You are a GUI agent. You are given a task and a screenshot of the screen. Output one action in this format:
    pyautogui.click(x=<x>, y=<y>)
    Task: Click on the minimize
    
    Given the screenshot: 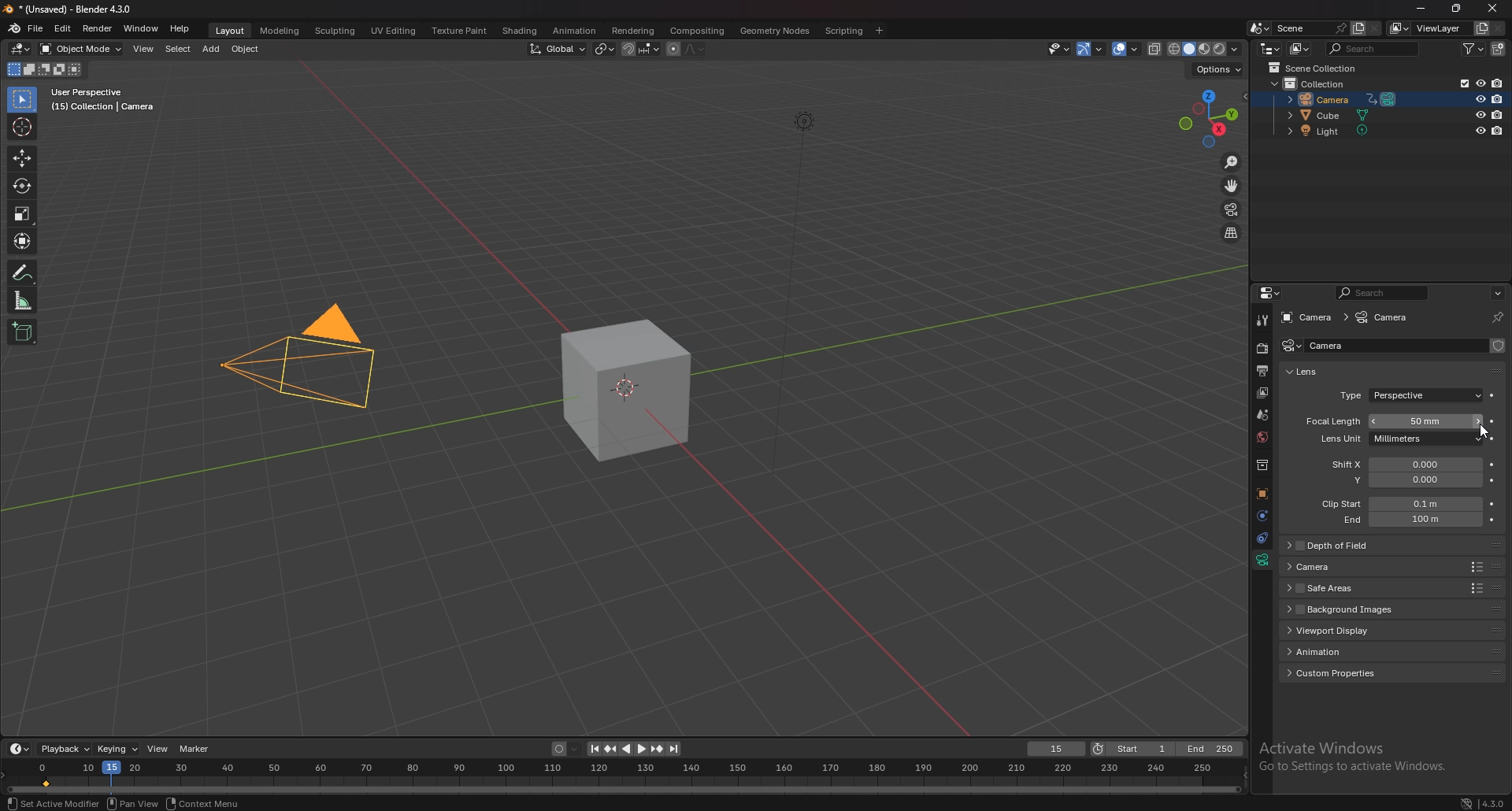 What is the action you would take?
    pyautogui.click(x=1423, y=9)
    